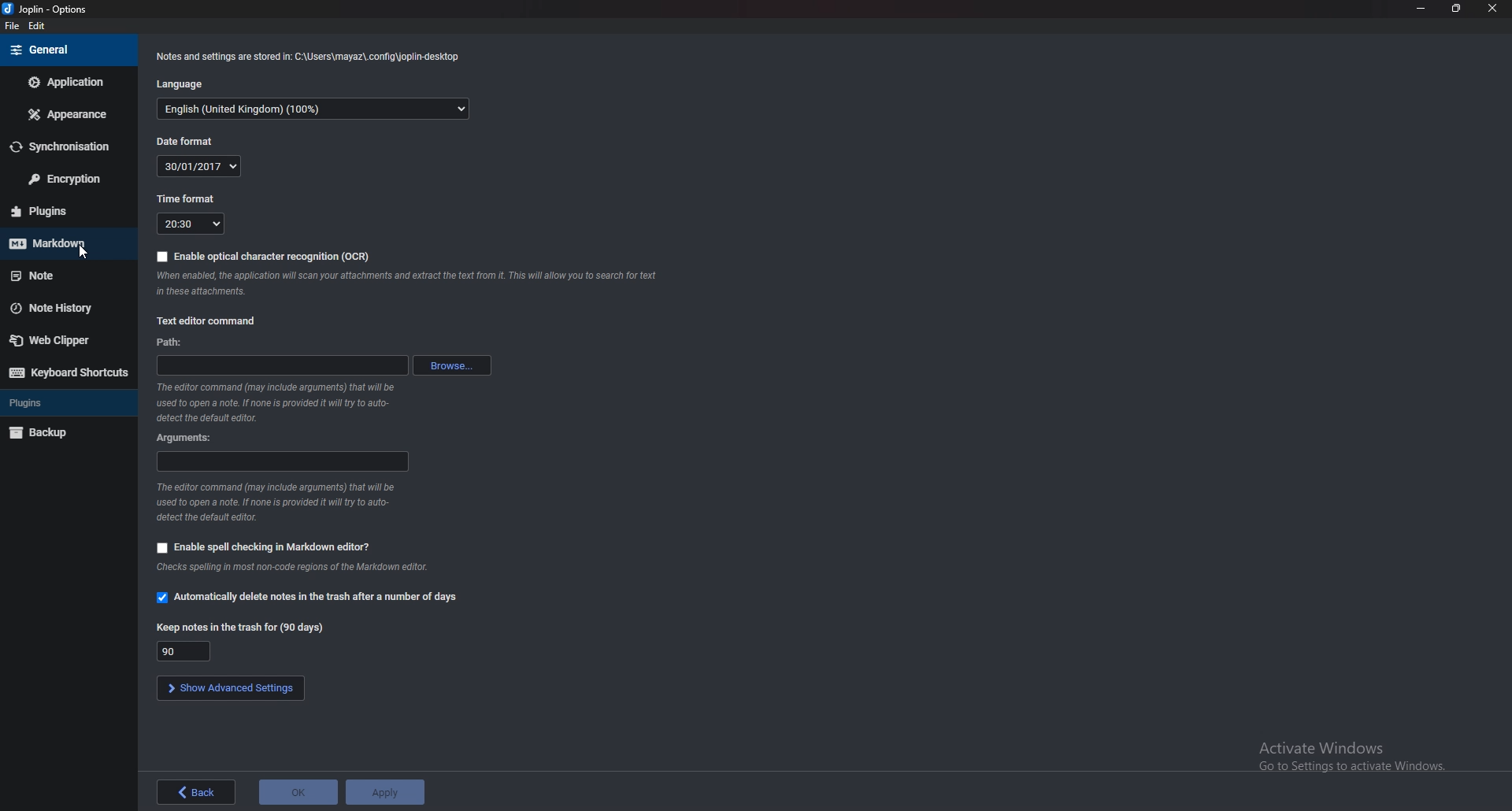 The width and height of the screenshot is (1512, 811). What do you see at coordinates (63, 178) in the screenshot?
I see `encryption` at bounding box center [63, 178].